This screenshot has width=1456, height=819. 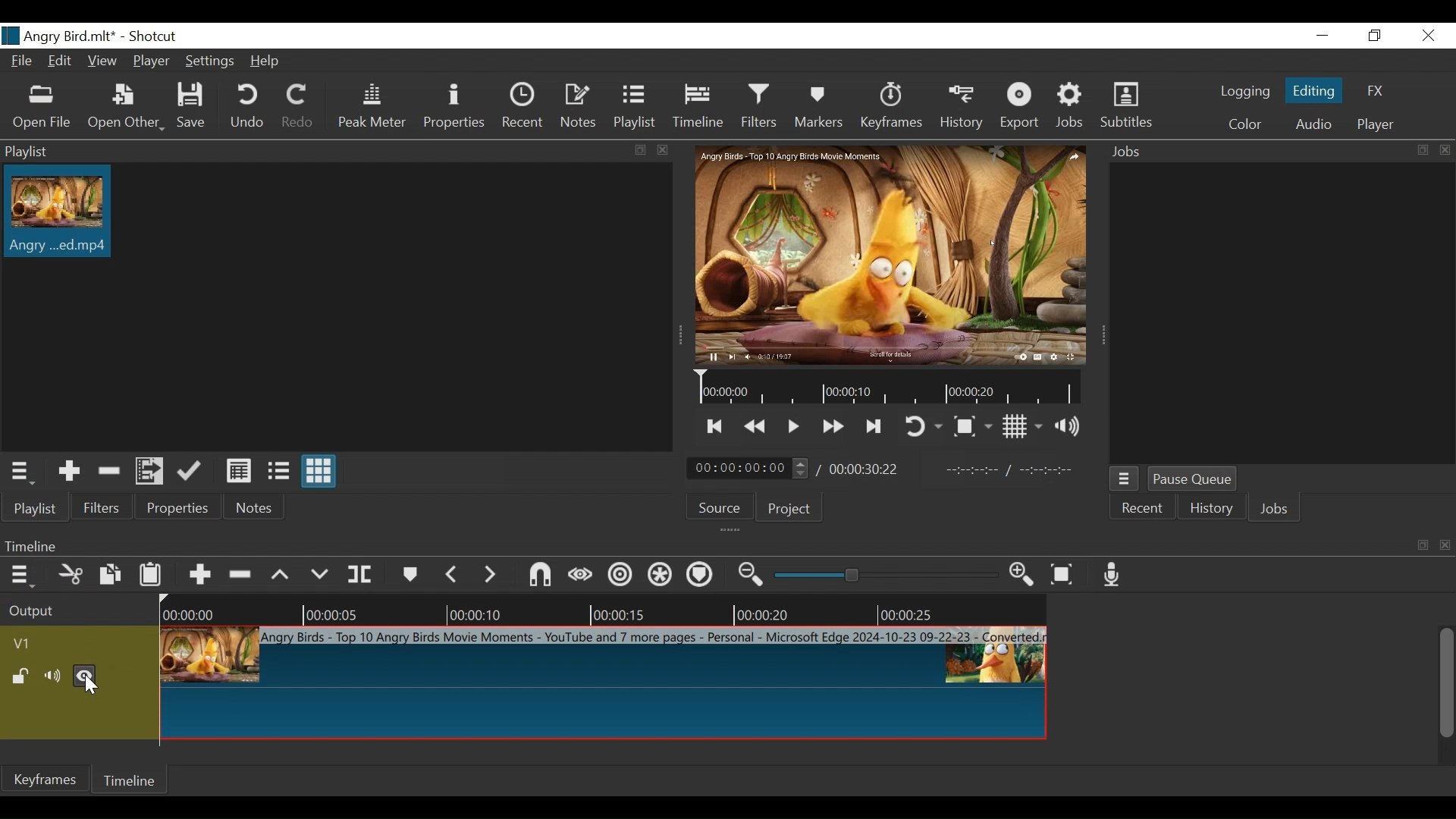 What do you see at coordinates (238, 471) in the screenshot?
I see `View as details` at bounding box center [238, 471].